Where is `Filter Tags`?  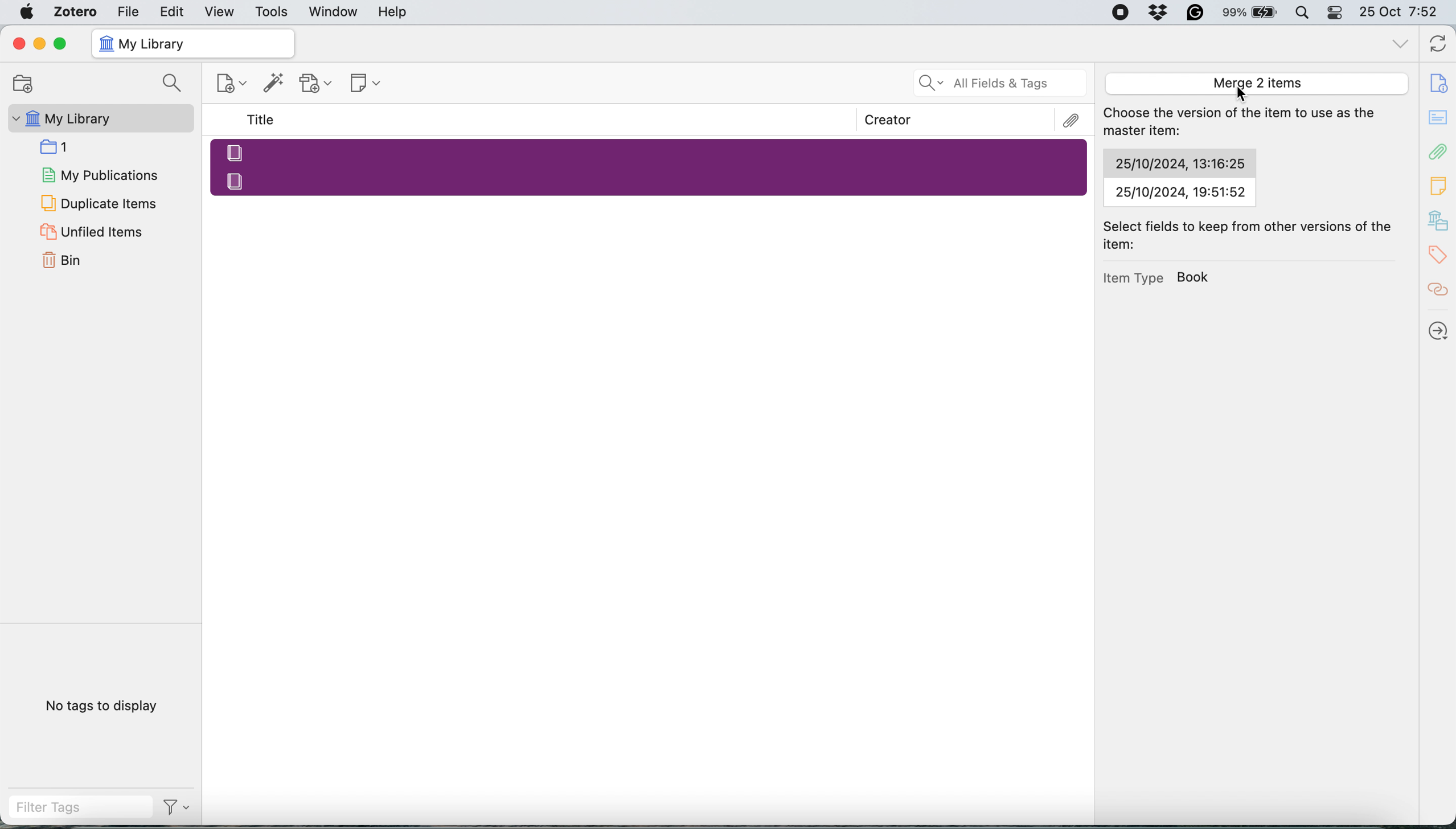
Filter Tags is located at coordinates (80, 807).